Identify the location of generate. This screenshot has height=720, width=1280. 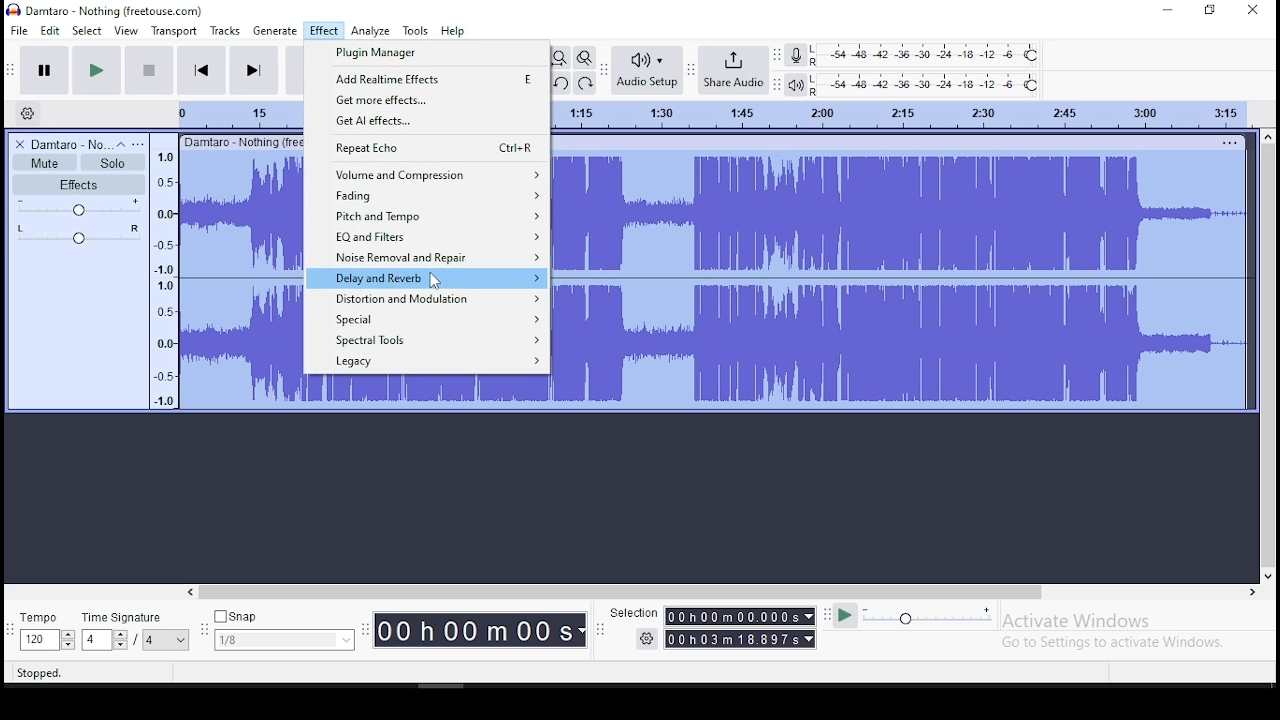
(275, 32).